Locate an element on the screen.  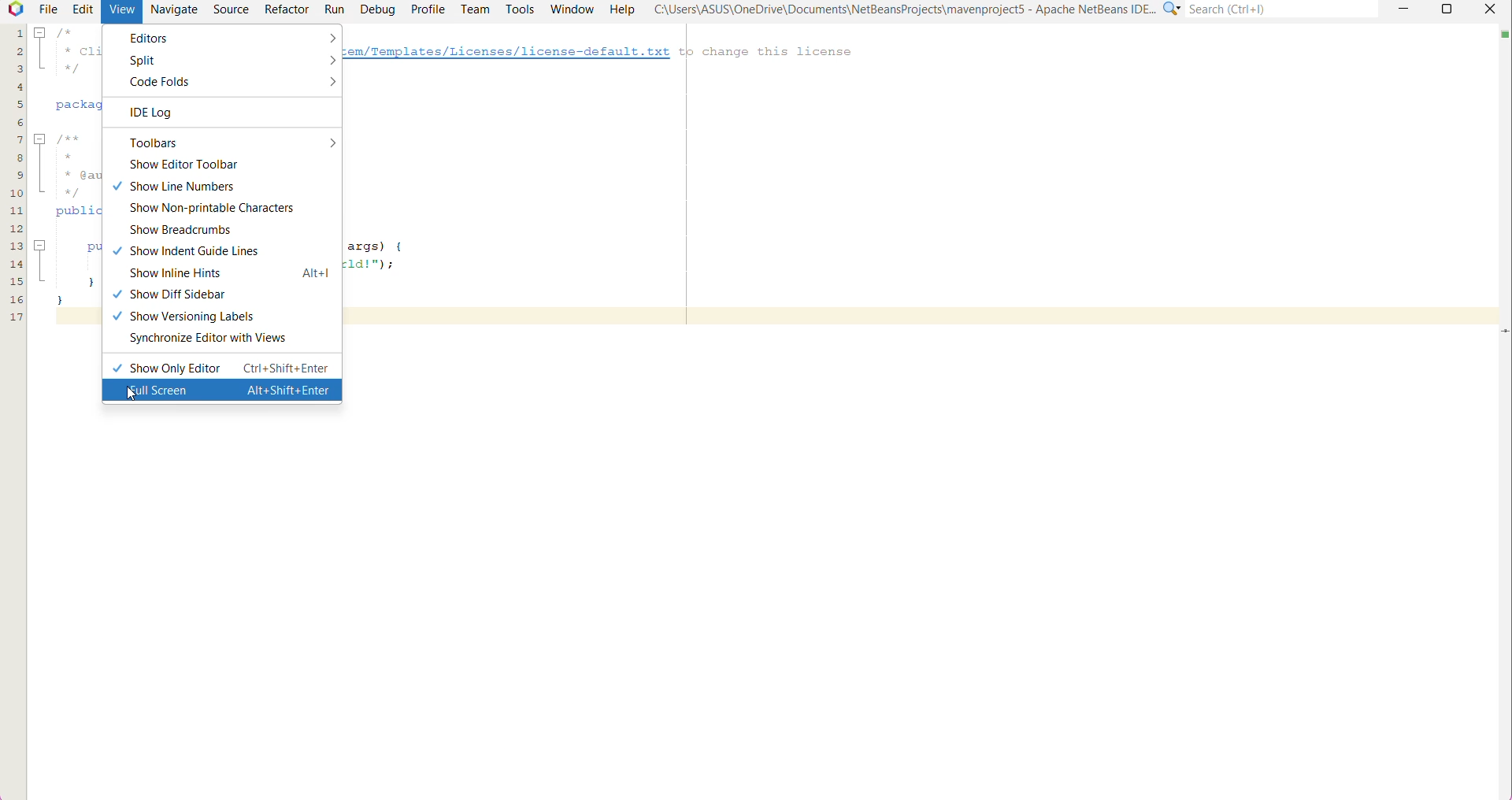
Source is located at coordinates (232, 10).